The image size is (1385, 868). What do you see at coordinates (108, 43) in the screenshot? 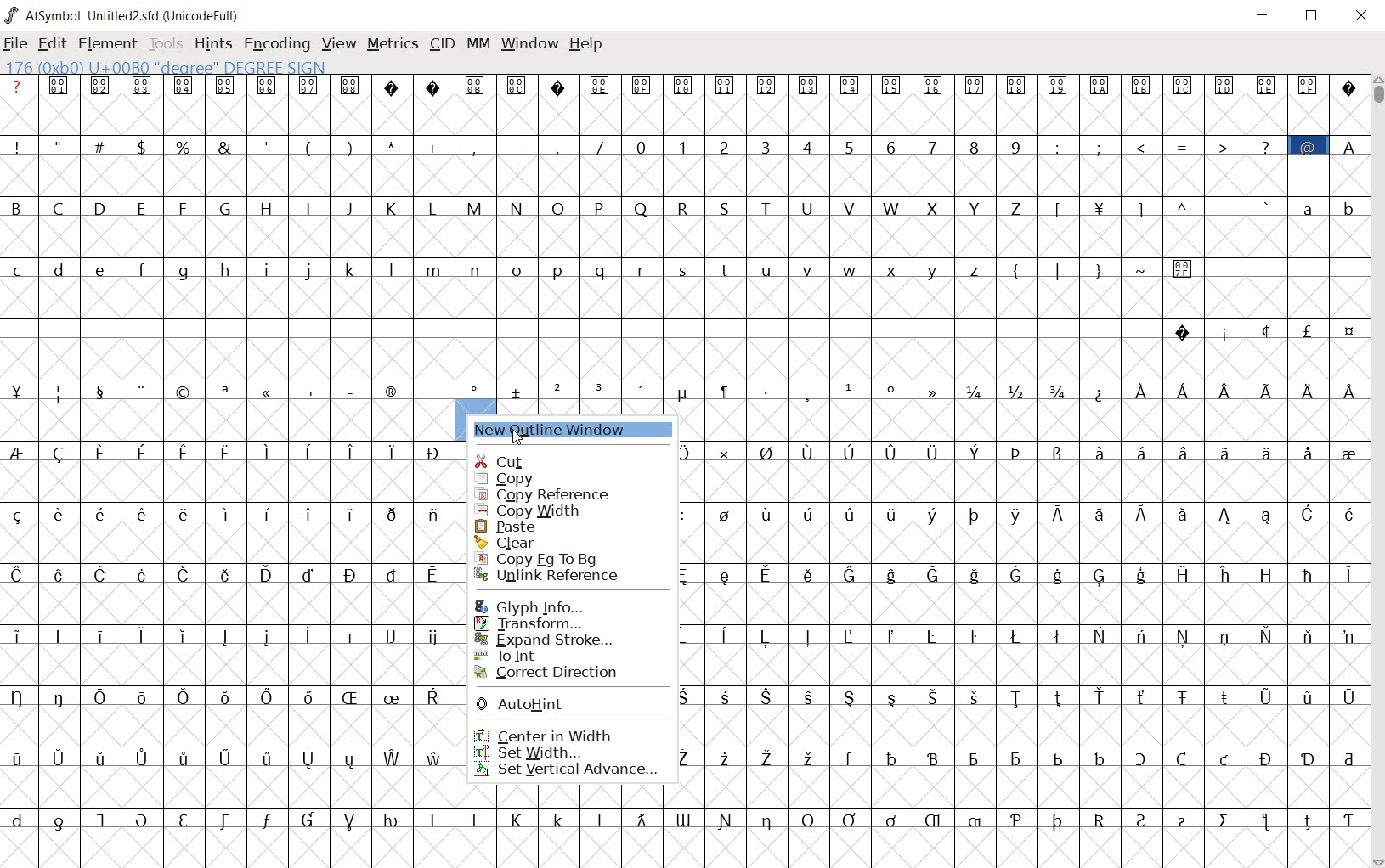
I see `element` at bounding box center [108, 43].